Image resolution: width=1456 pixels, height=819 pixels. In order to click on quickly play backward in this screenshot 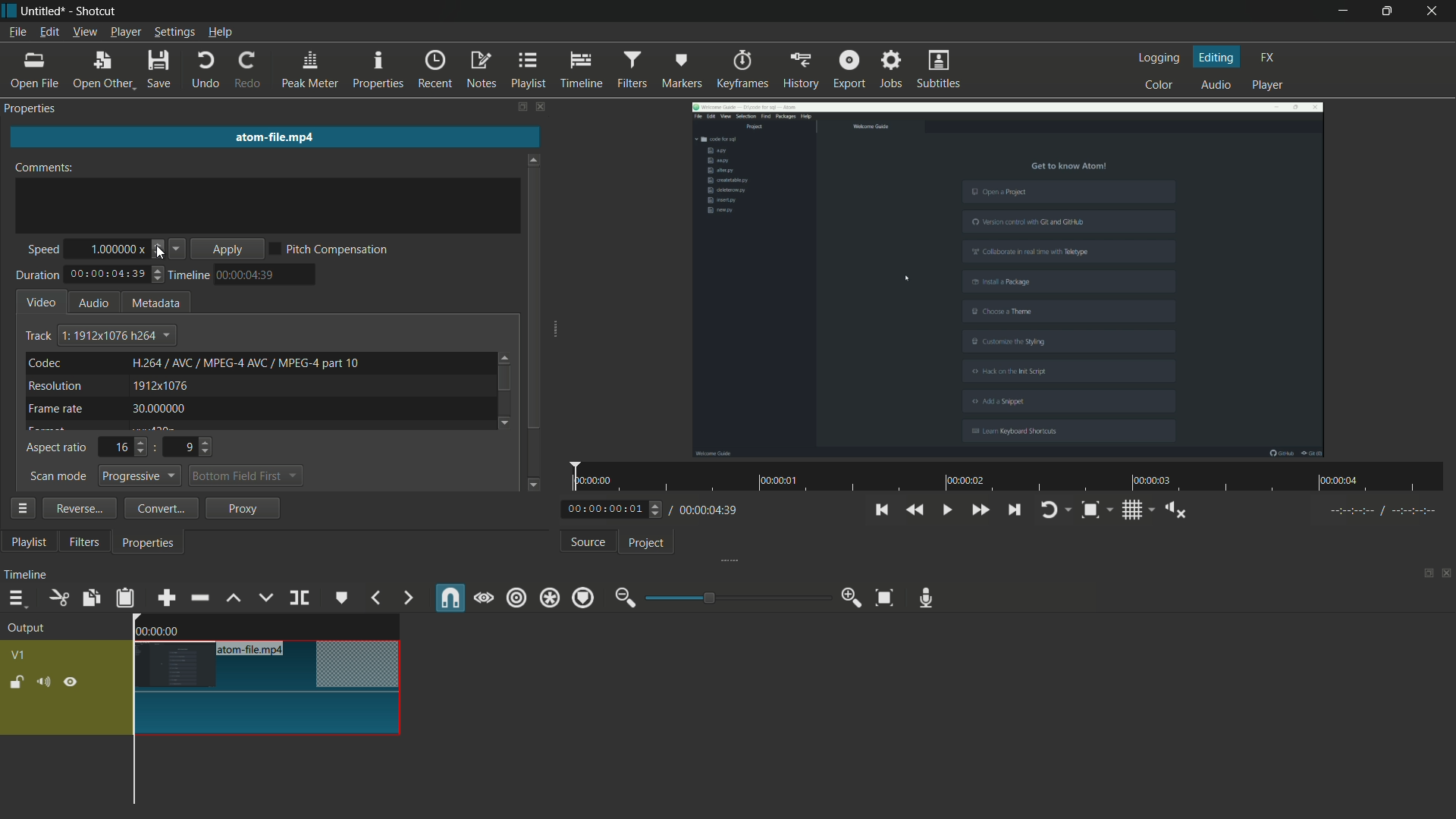, I will do `click(916, 510)`.